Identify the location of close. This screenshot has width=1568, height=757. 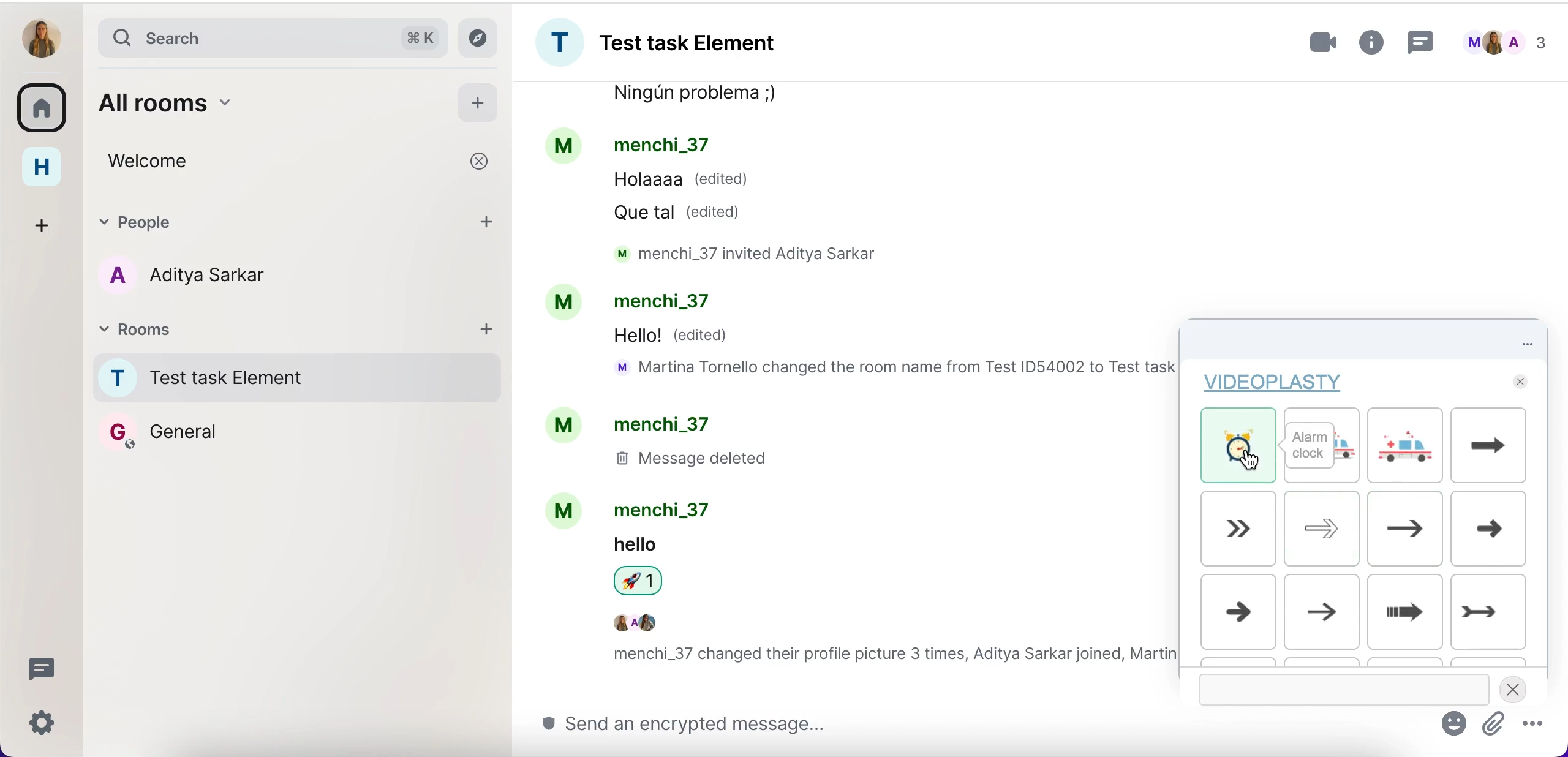
(1514, 690).